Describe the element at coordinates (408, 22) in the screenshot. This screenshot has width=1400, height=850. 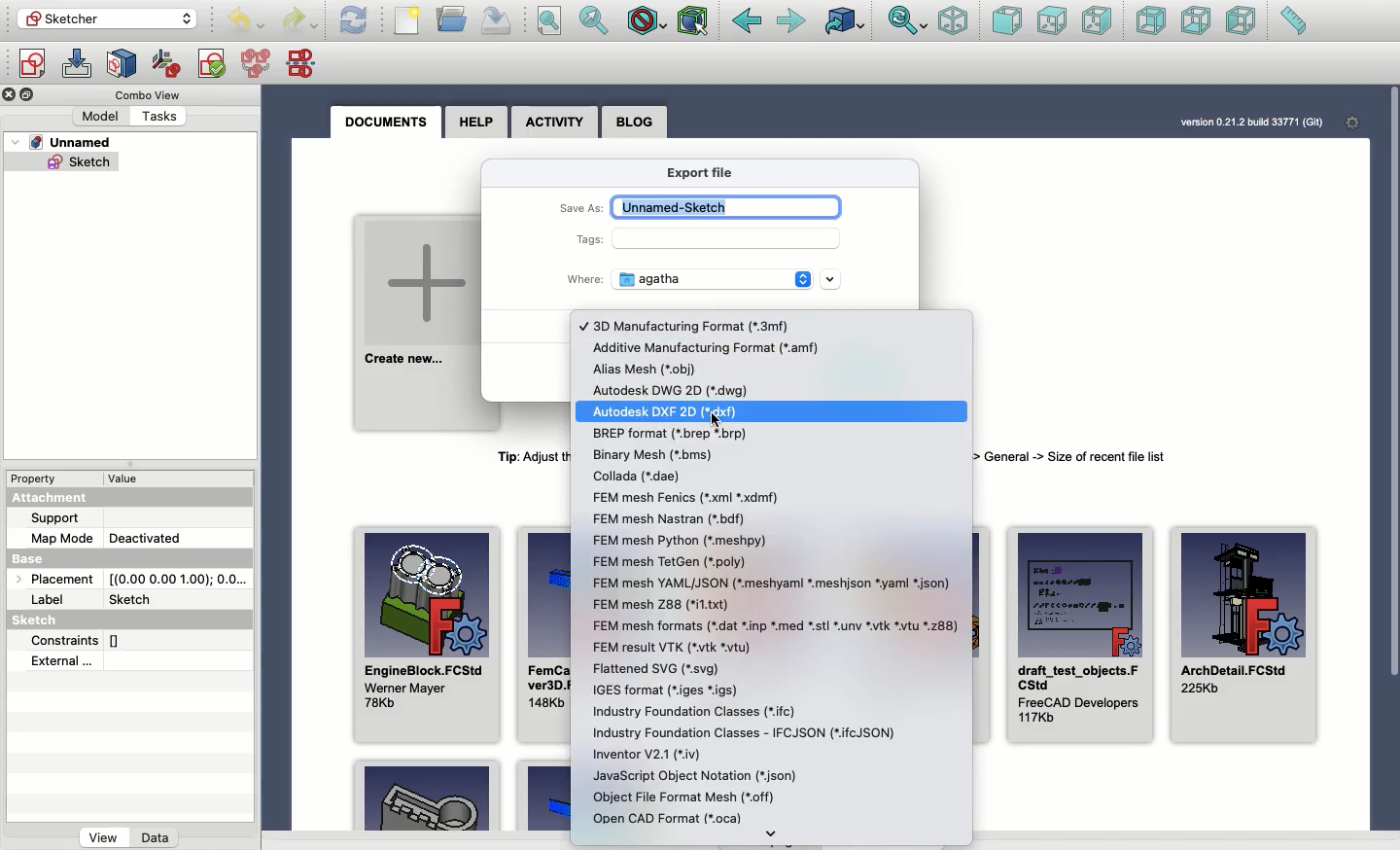
I see `File` at that location.